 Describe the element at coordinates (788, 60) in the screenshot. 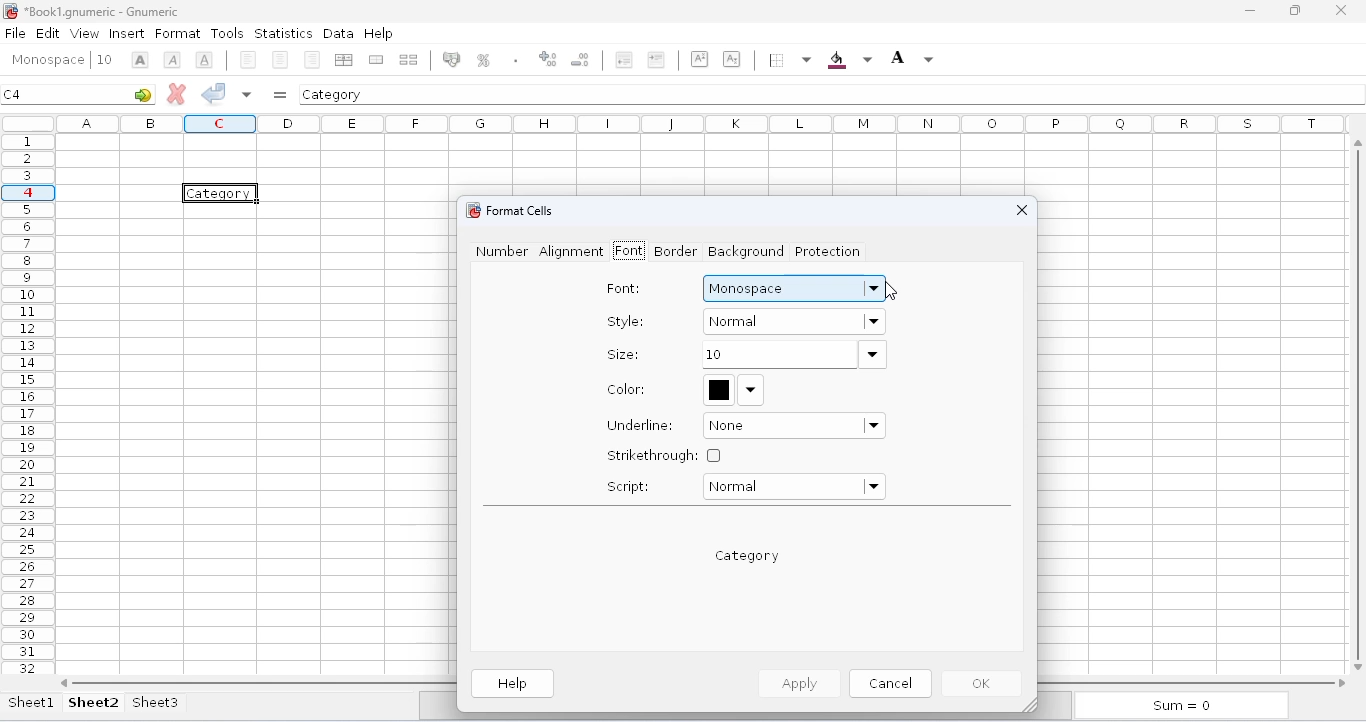

I see `borders` at that location.